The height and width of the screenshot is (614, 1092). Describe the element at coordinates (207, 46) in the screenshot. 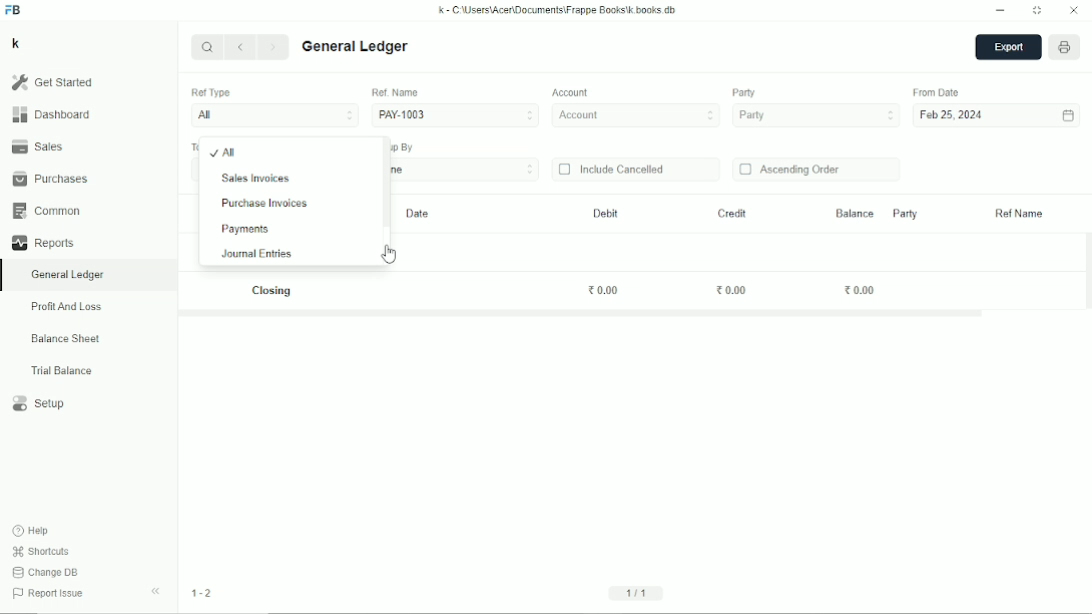

I see `Search` at that location.